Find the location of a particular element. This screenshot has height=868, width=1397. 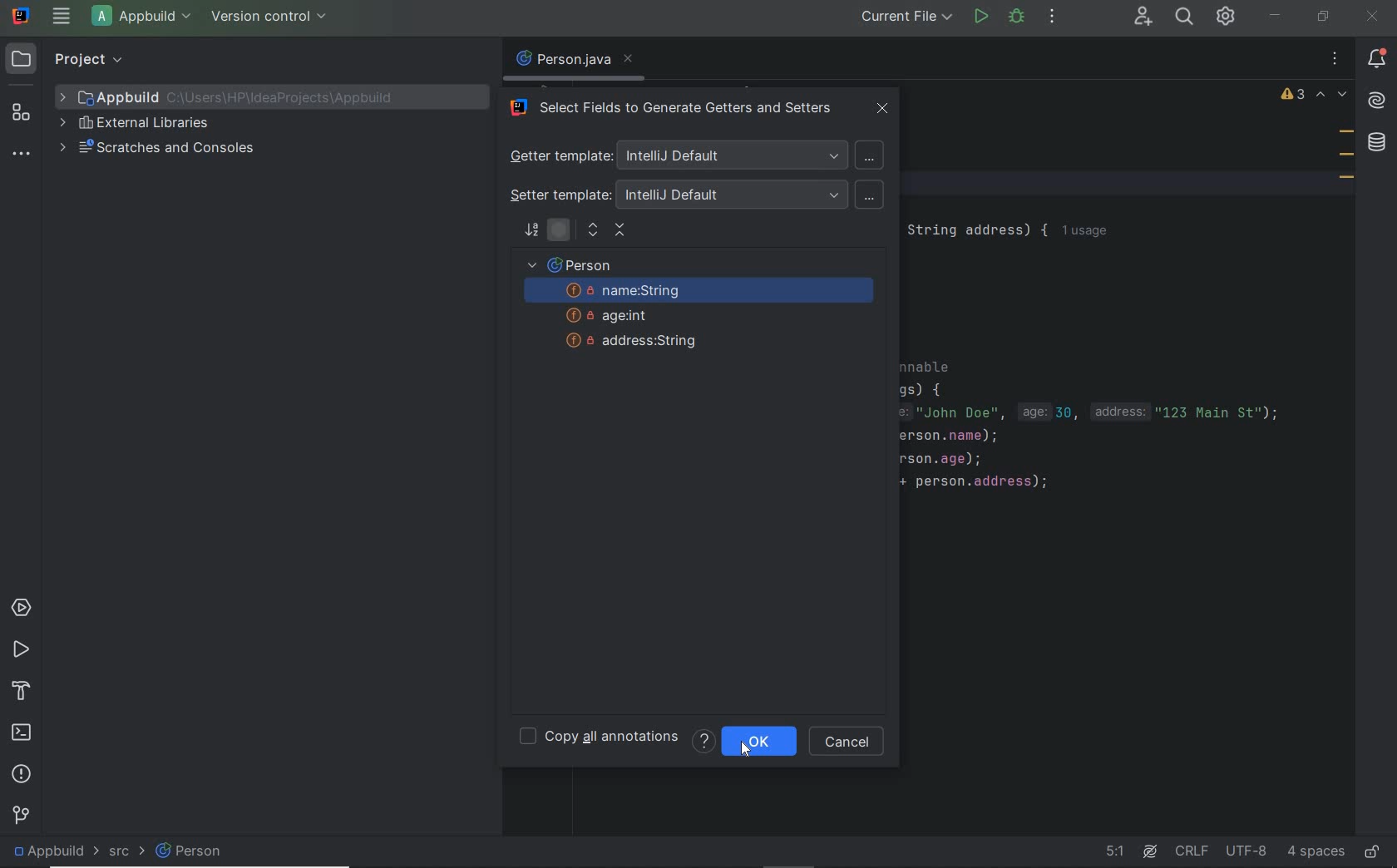

problems is located at coordinates (20, 772).